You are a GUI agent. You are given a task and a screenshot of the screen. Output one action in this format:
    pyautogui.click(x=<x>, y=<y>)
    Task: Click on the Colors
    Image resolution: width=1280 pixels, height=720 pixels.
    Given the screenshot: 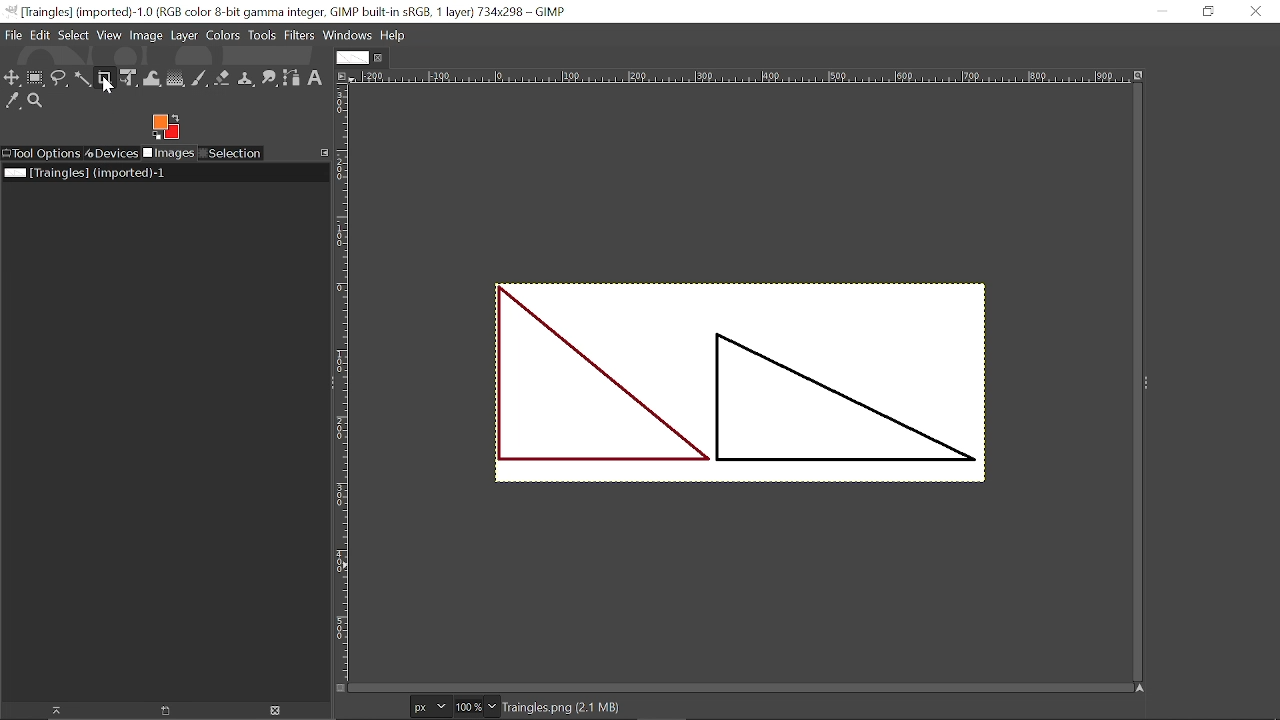 What is the action you would take?
    pyautogui.click(x=223, y=37)
    